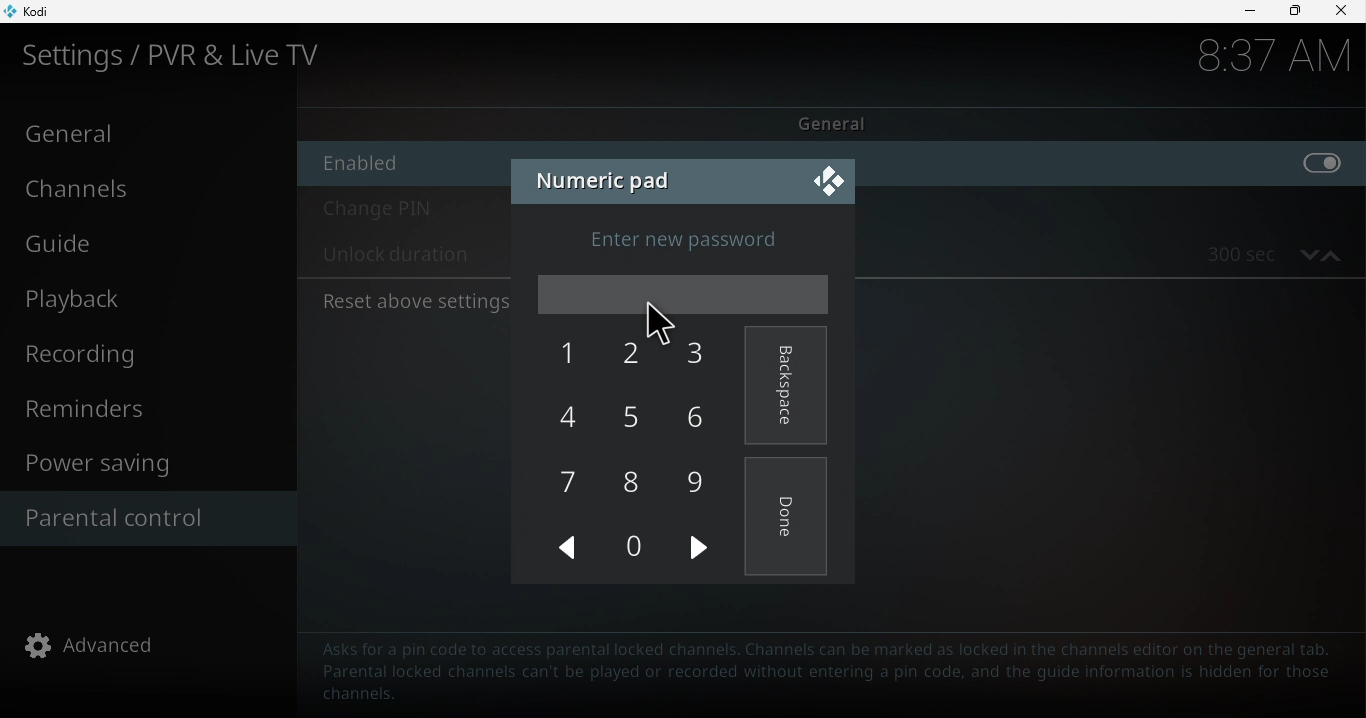 This screenshot has width=1366, height=718. Describe the element at coordinates (636, 352) in the screenshot. I see `2` at that location.